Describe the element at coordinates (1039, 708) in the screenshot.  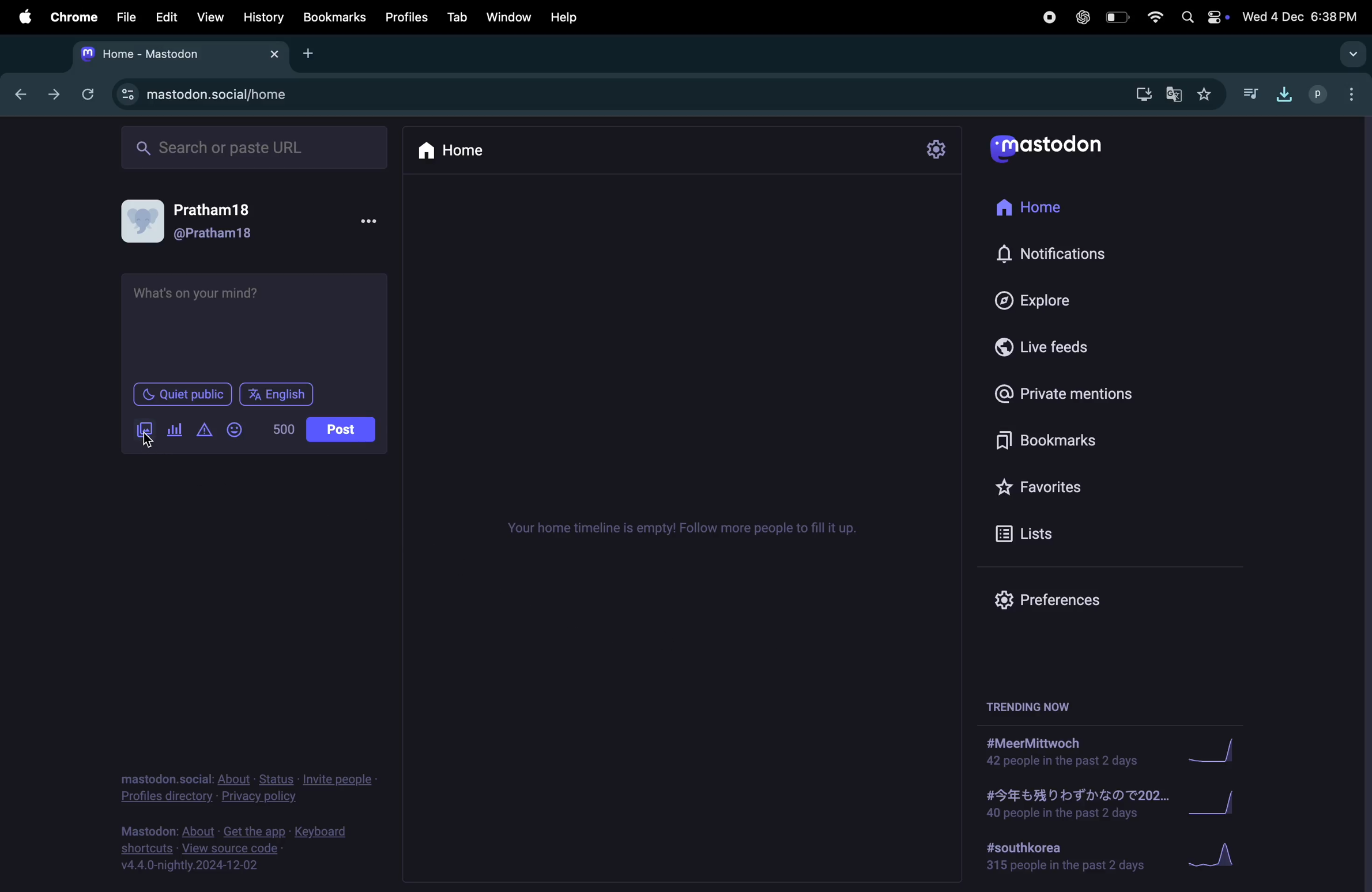
I see `trending now` at that location.